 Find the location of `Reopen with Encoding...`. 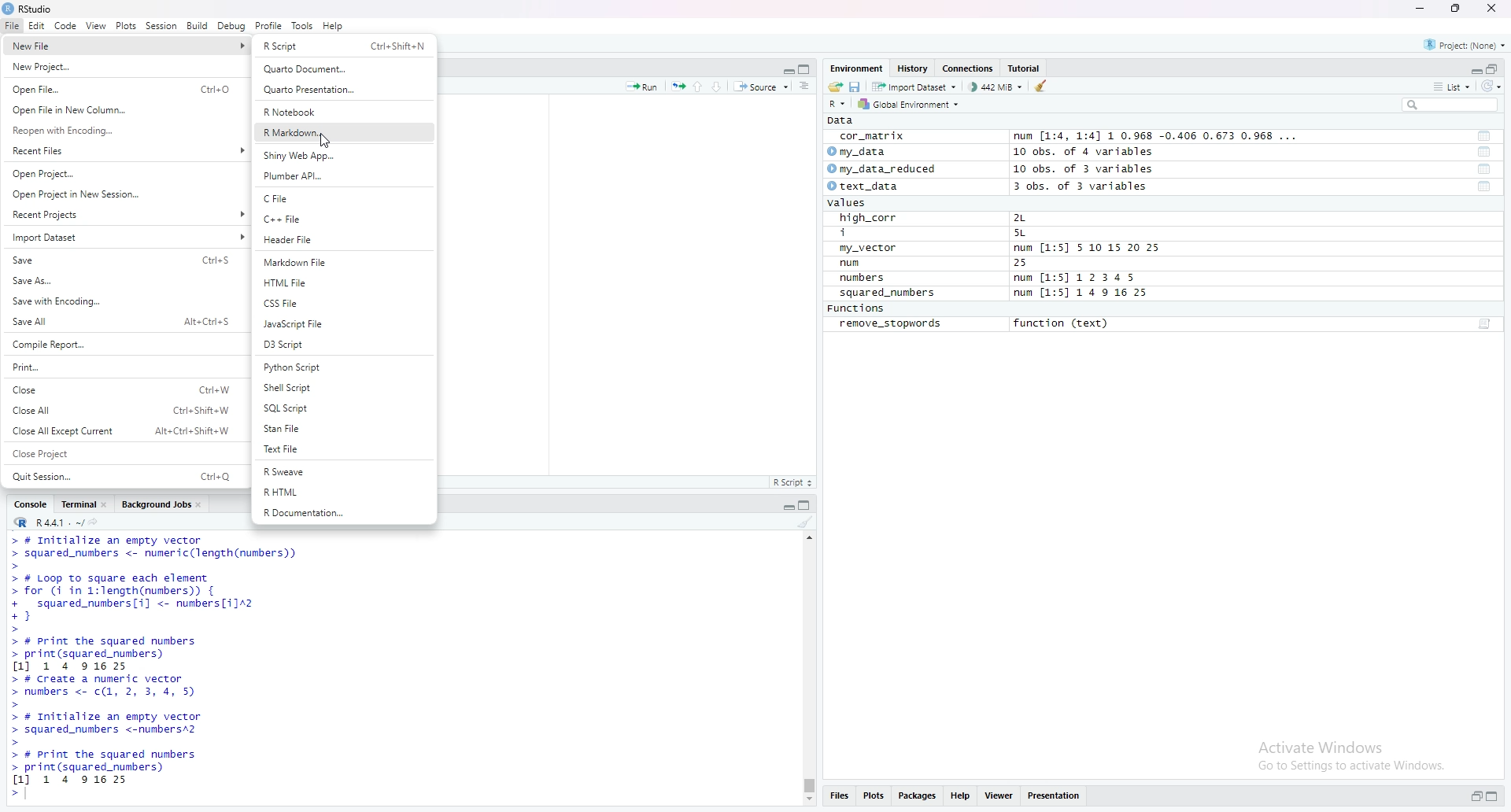

Reopen with Encoding... is located at coordinates (121, 131).